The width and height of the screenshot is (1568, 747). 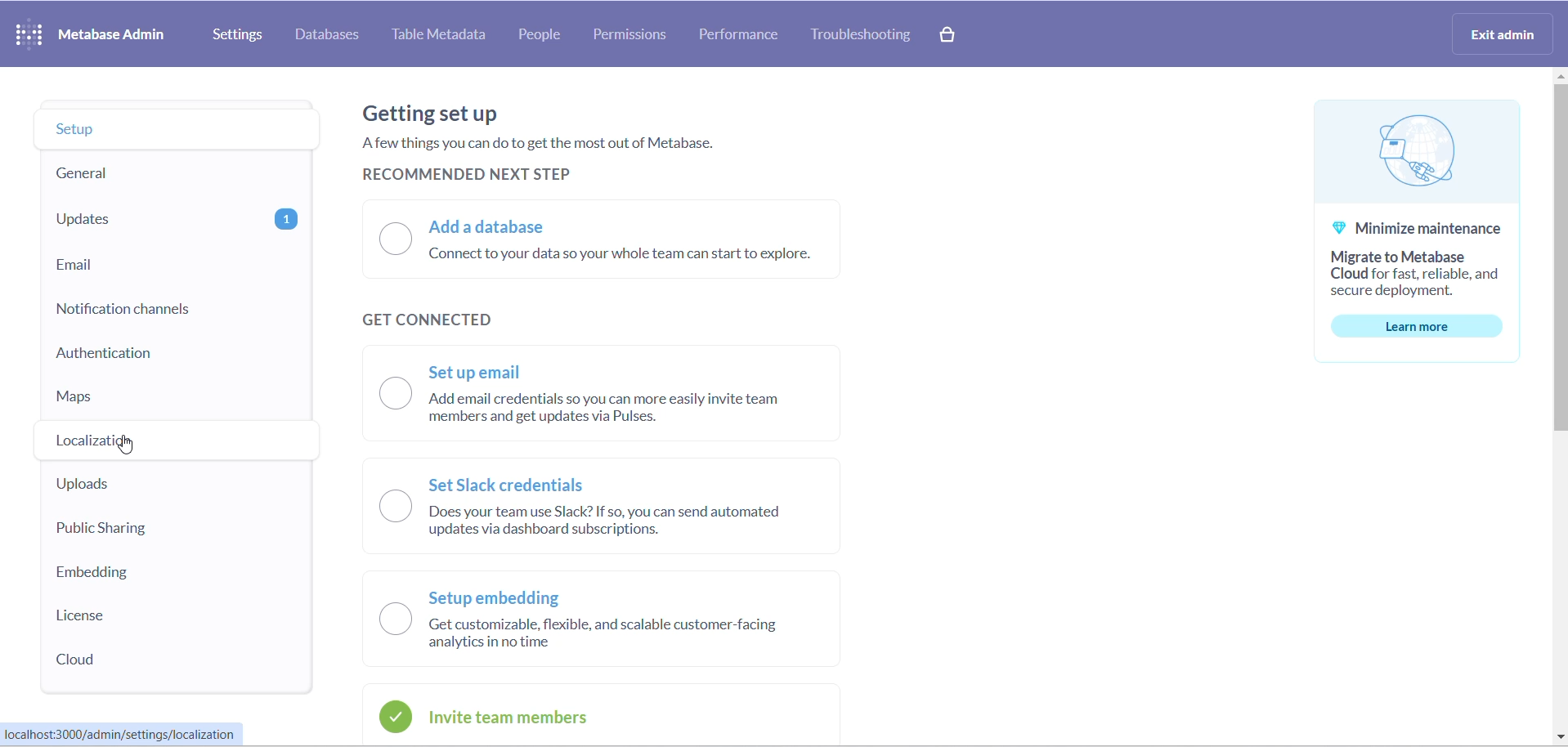 What do you see at coordinates (142, 571) in the screenshot?
I see `EMBEDDDING` at bounding box center [142, 571].